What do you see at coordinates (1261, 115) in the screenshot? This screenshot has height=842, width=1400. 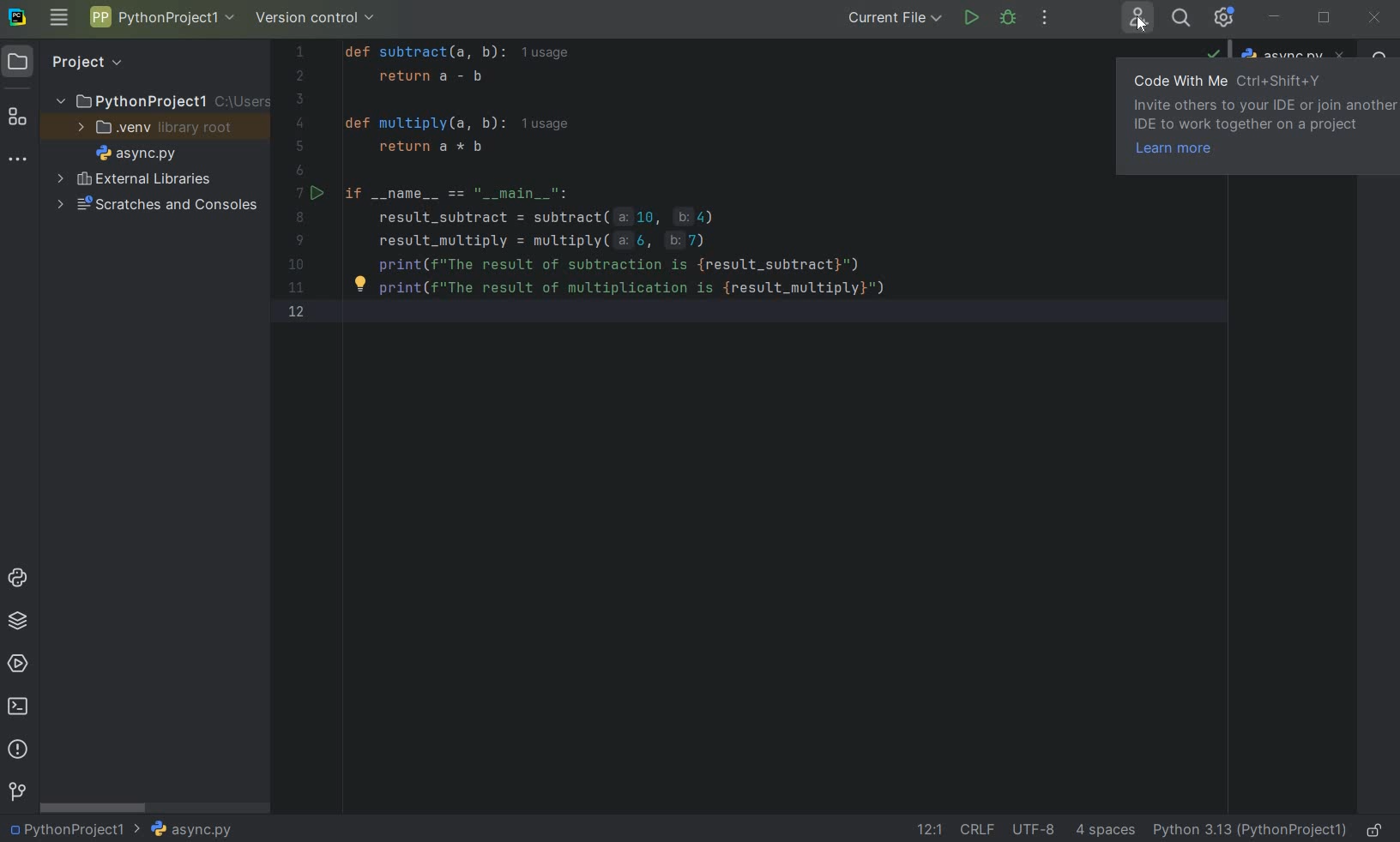 I see `CODE WITH ME` at bounding box center [1261, 115].